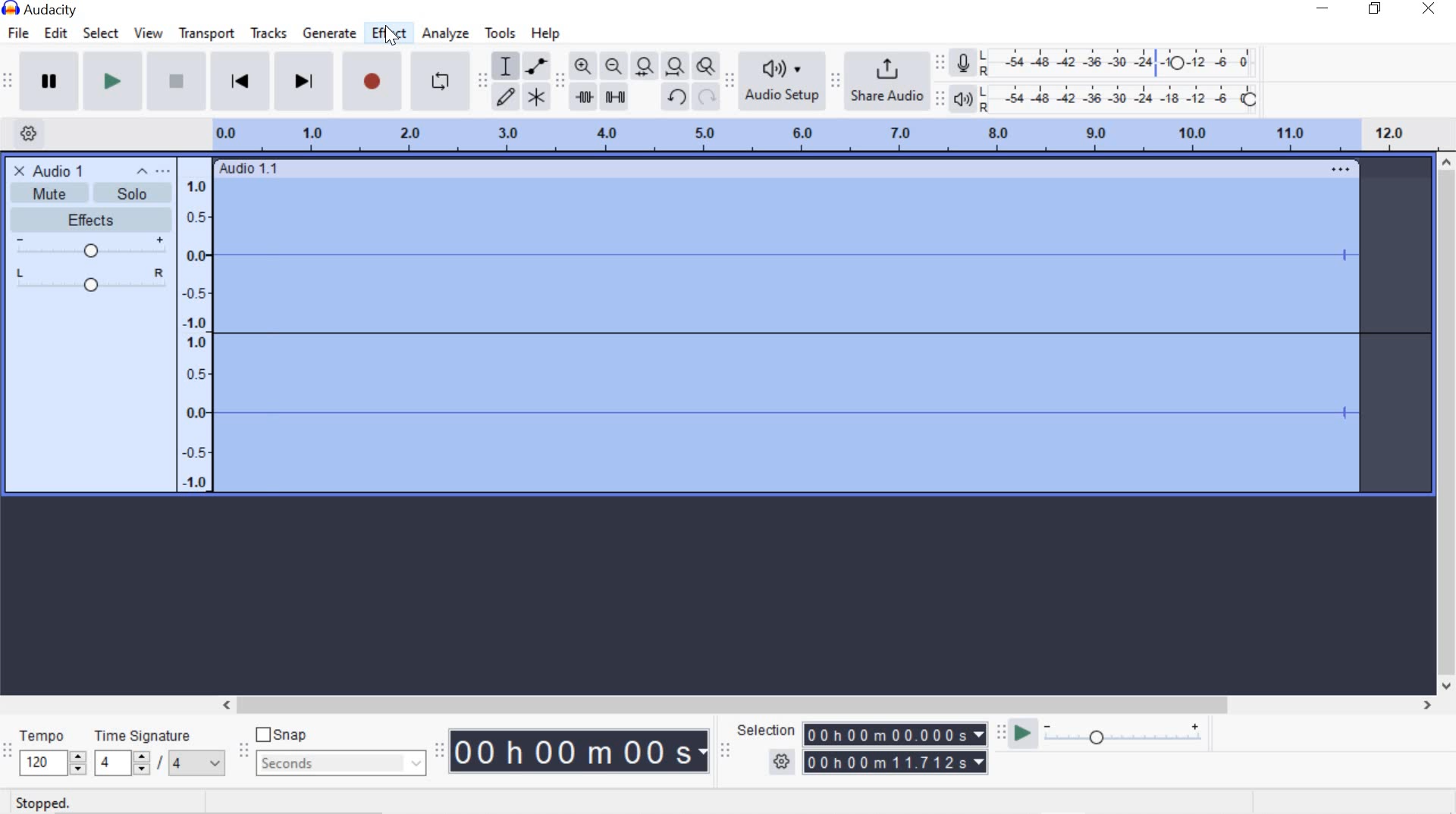 This screenshot has width=1456, height=814. What do you see at coordinates (338, 762) in the screenshot?
I see `seconds` at bounding box center [338, 762].